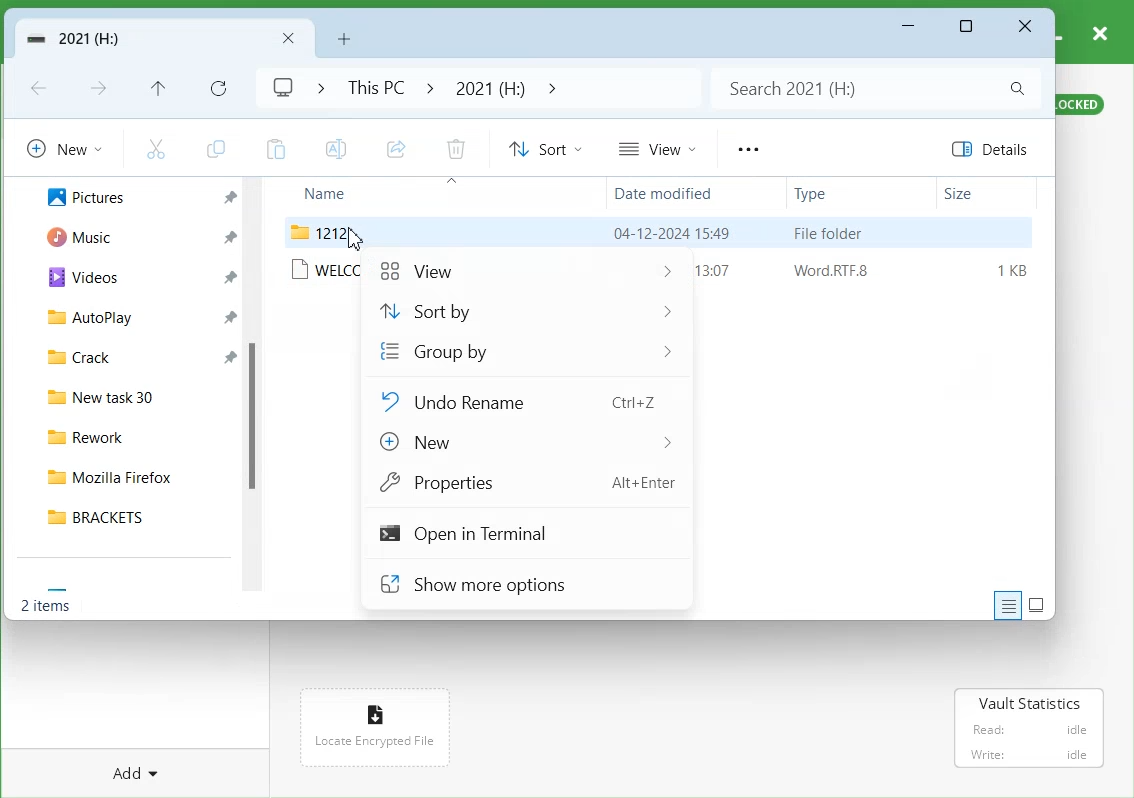  I want to click on Delete, so click(456, 148).